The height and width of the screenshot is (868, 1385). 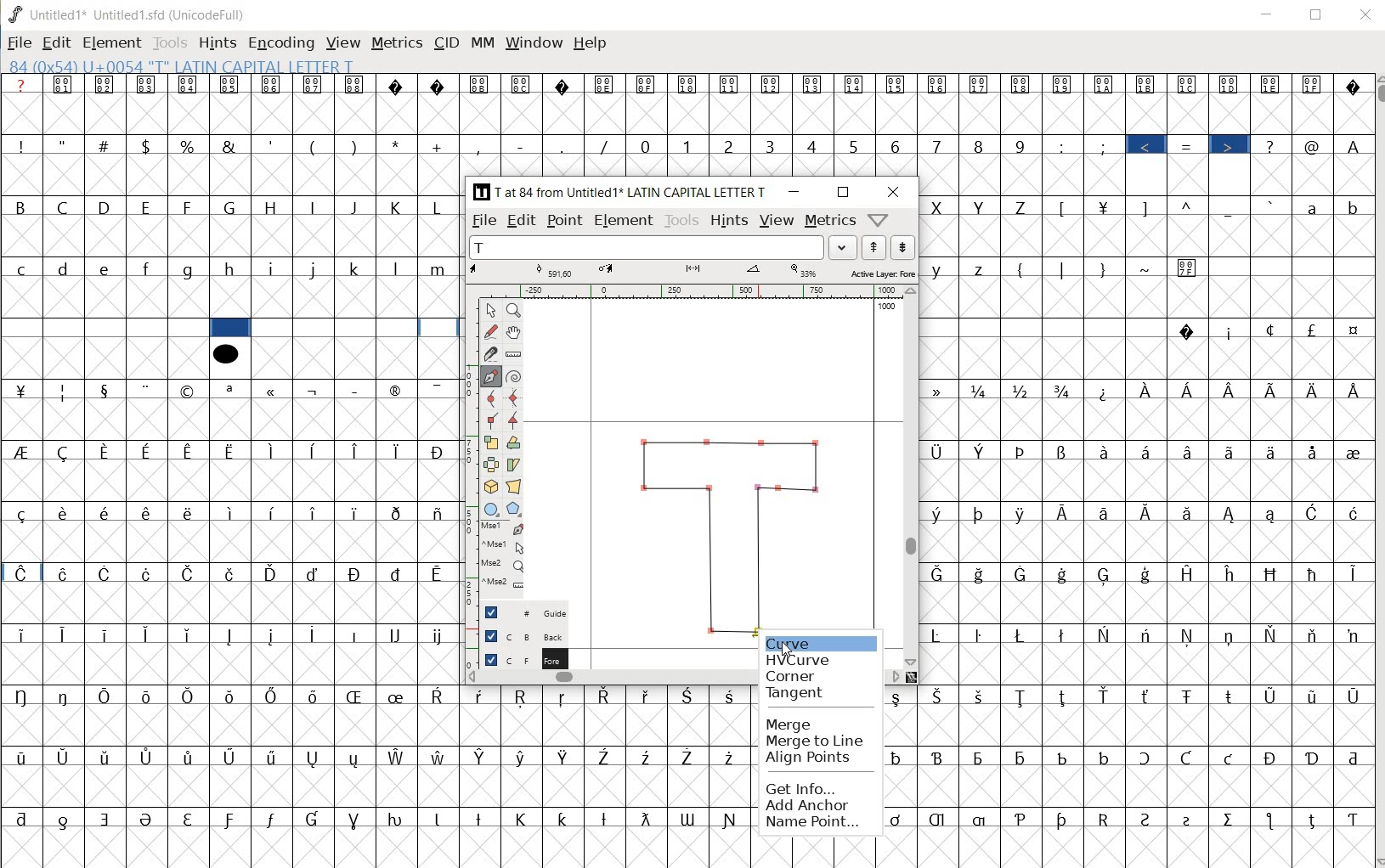 What do you see at coordinates (942, 513) in the screenshot?
I see `Symbol` at bounding box center [942, 513].